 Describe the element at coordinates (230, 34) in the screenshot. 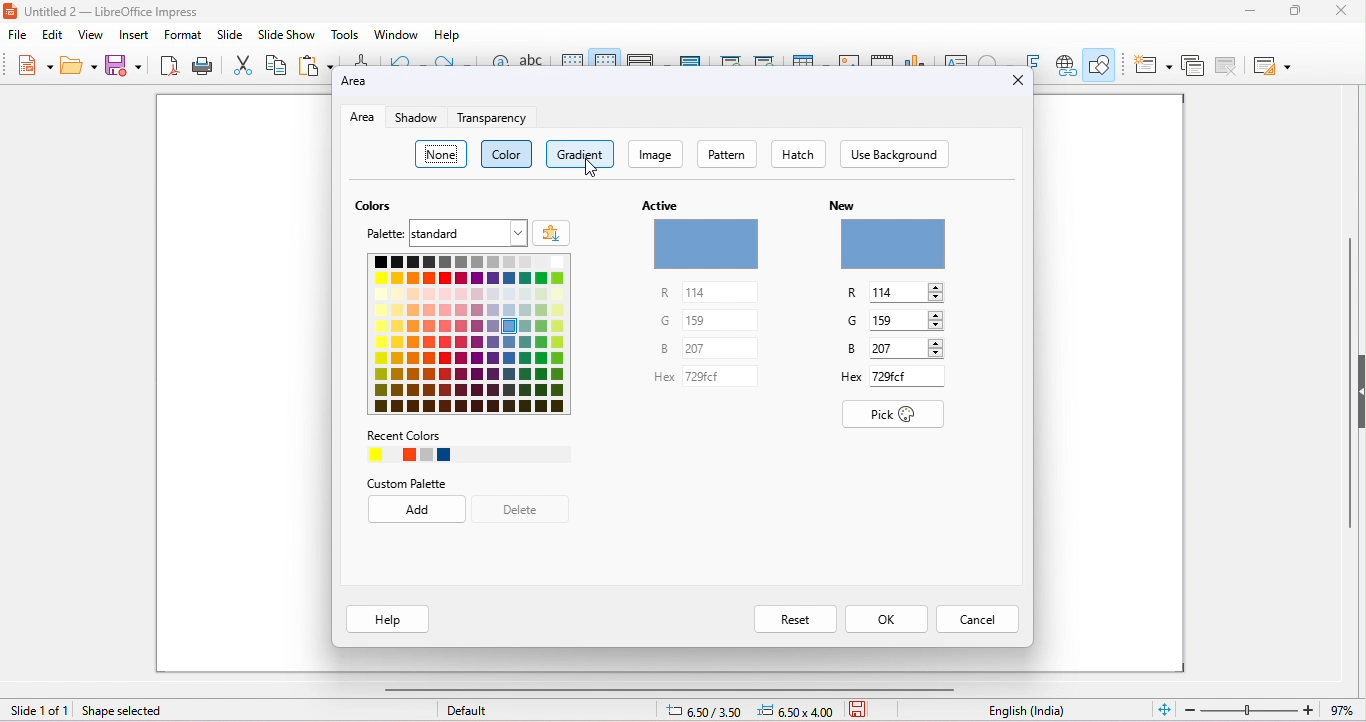

I see `slide` at that location.